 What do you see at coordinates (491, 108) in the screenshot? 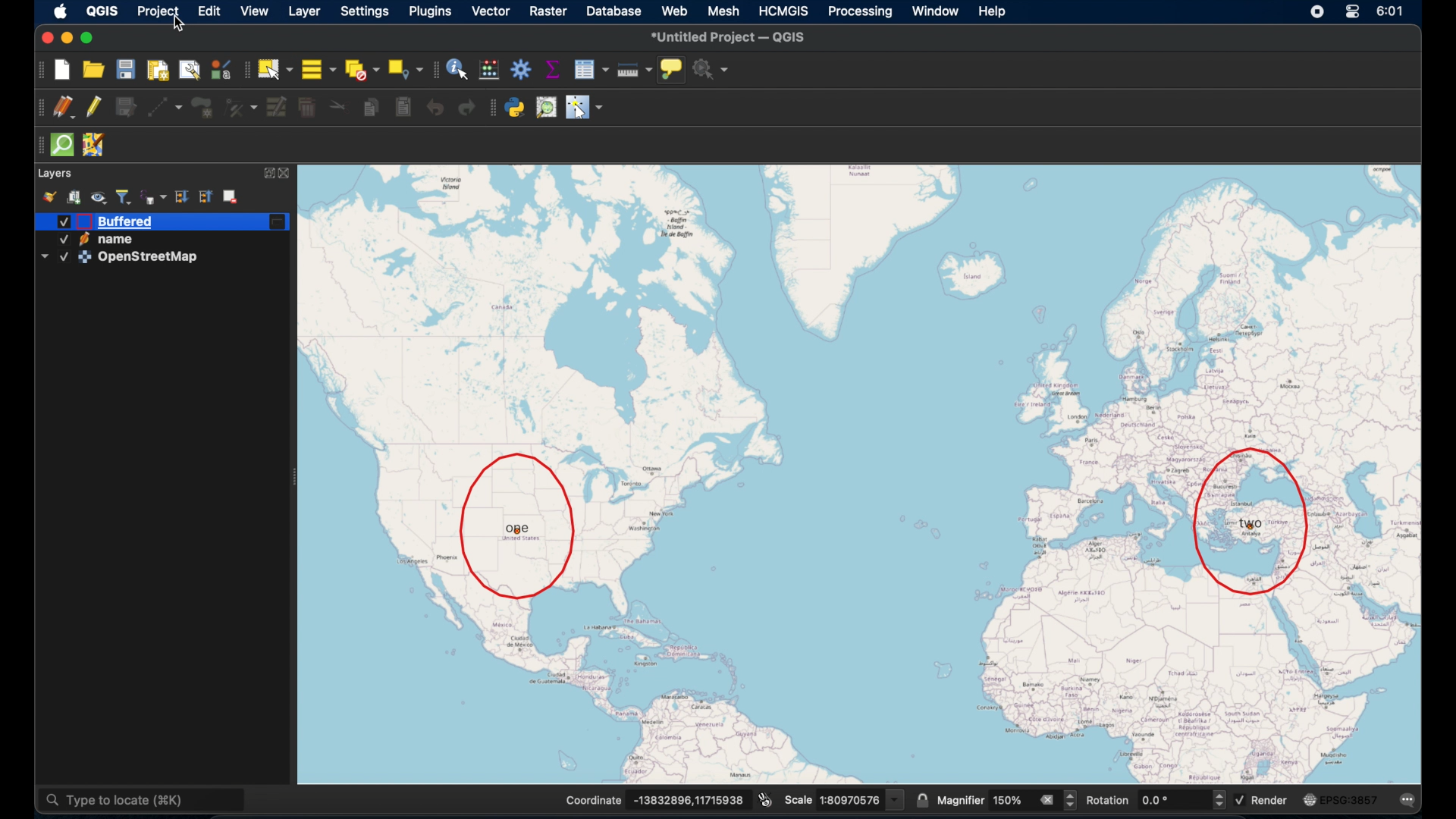
I see `plugins toolbar` at bounding box center [491, 108].